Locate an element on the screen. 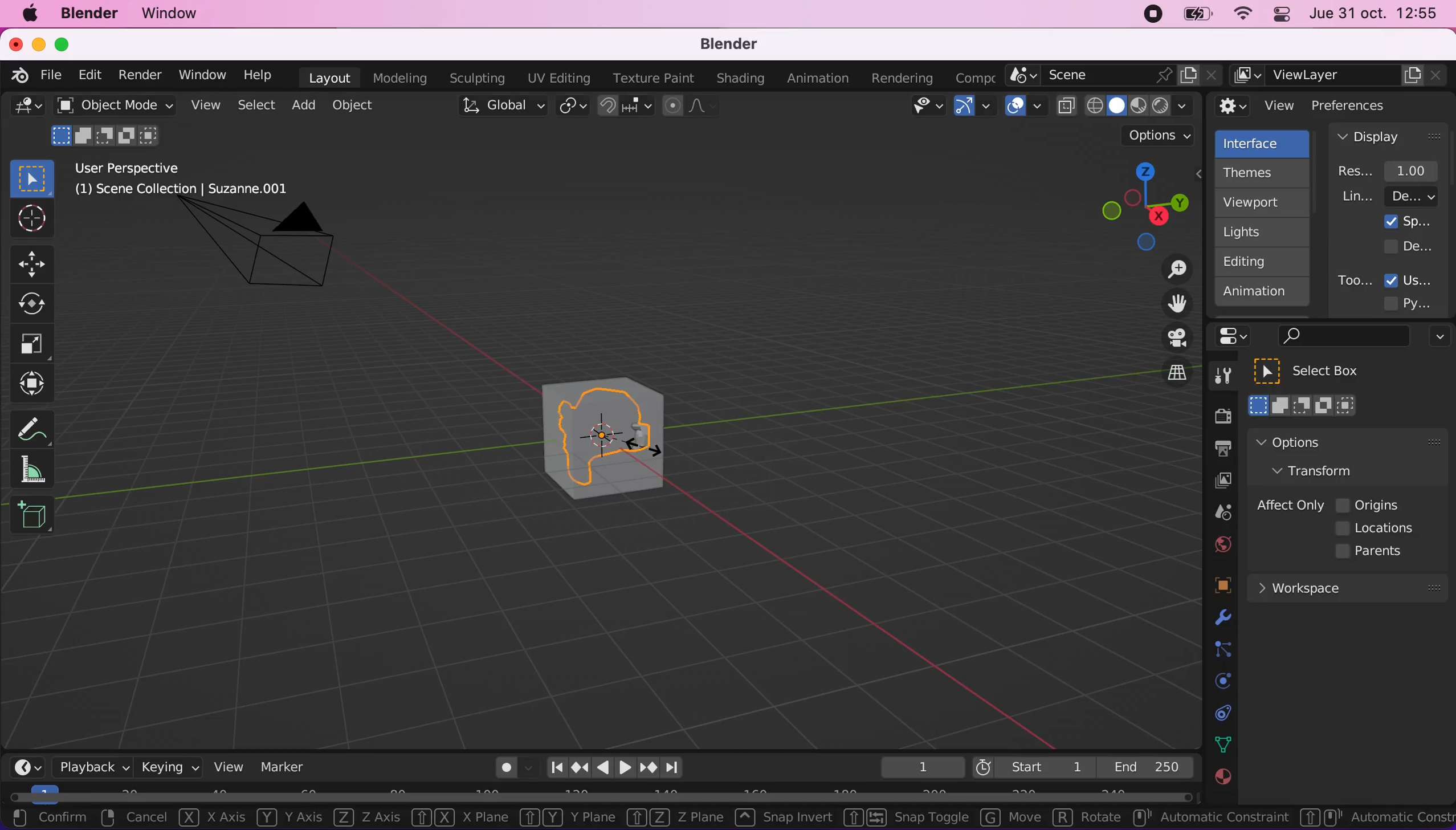 This screenshot has width=1456, height=830. affect only is located at coordinates (1288, 505).